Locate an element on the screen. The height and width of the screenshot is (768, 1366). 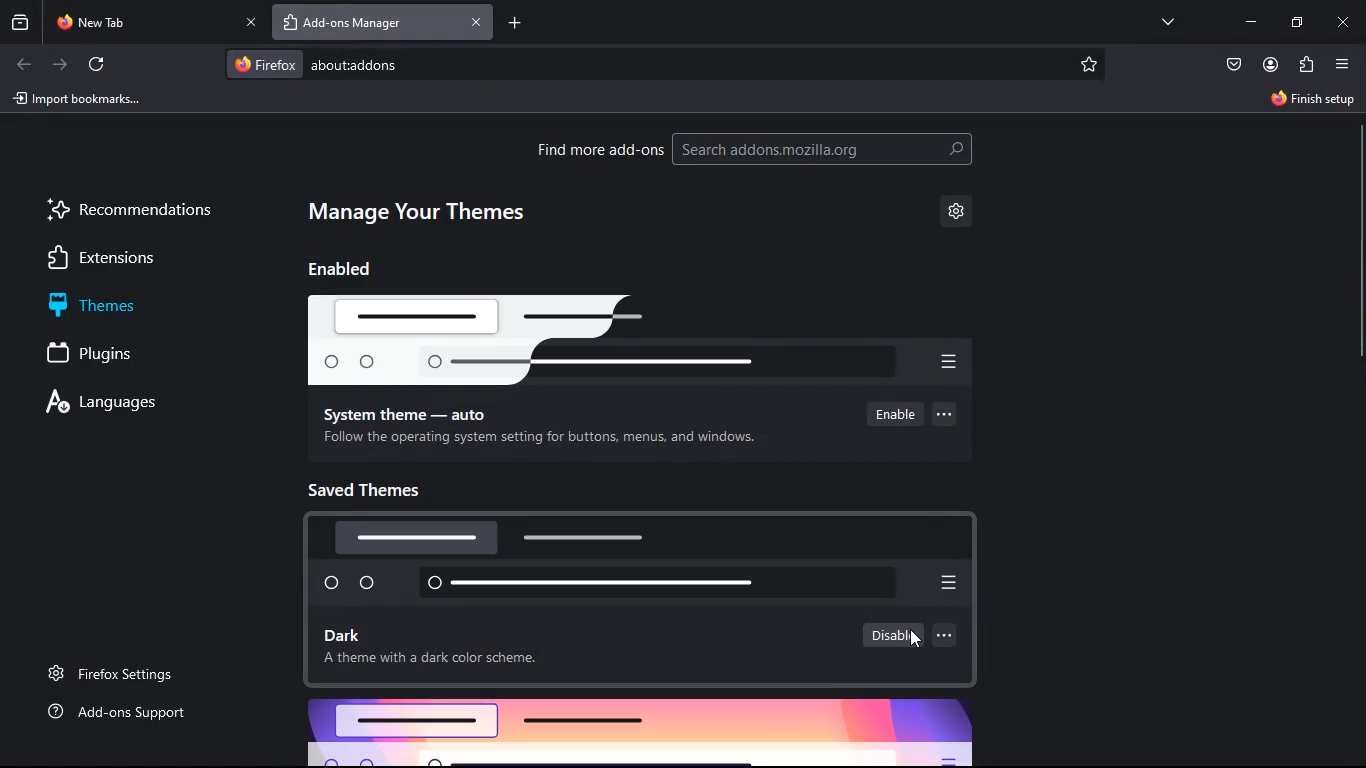
message is located at coordinates (538, 440).